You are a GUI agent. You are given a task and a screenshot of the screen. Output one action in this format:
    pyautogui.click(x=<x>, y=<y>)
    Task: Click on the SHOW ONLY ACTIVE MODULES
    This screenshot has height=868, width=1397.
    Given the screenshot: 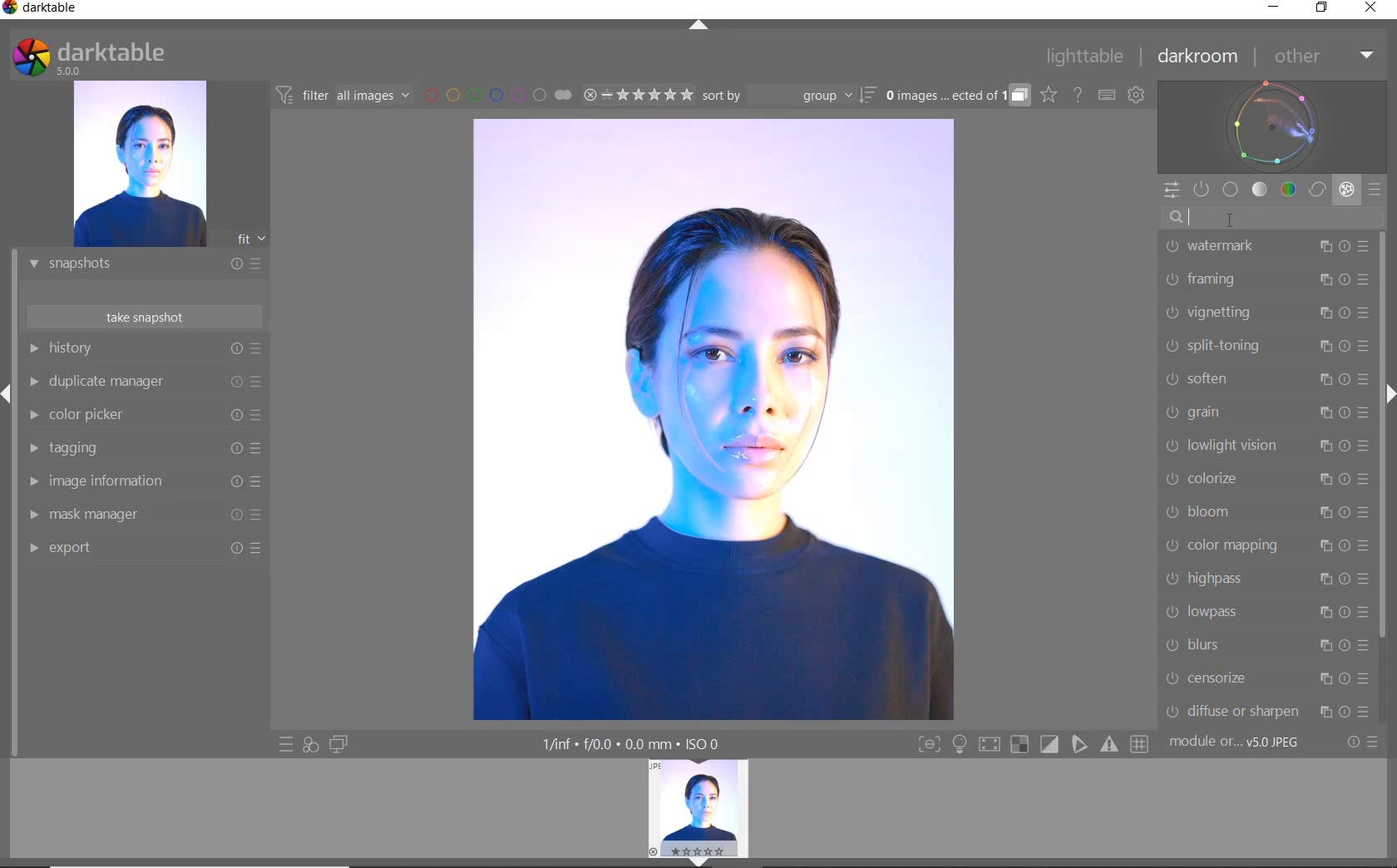 What is the action you would take?
    pyautogui.click(x=1202, y=190)
    